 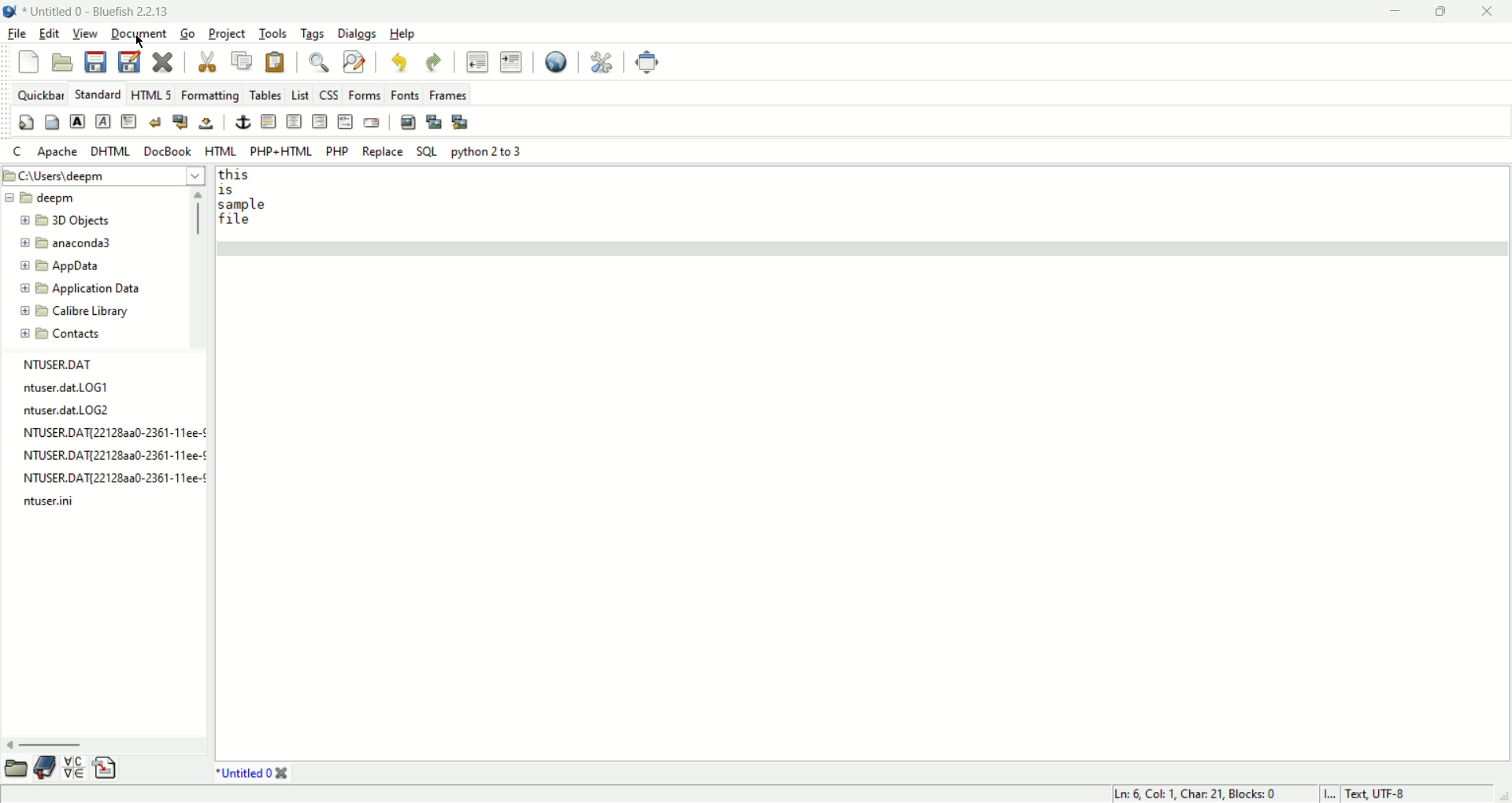 What do you see at coordinates (1491, 13) in the screenshot?
I see `close` at bounding box center [1491, 13].